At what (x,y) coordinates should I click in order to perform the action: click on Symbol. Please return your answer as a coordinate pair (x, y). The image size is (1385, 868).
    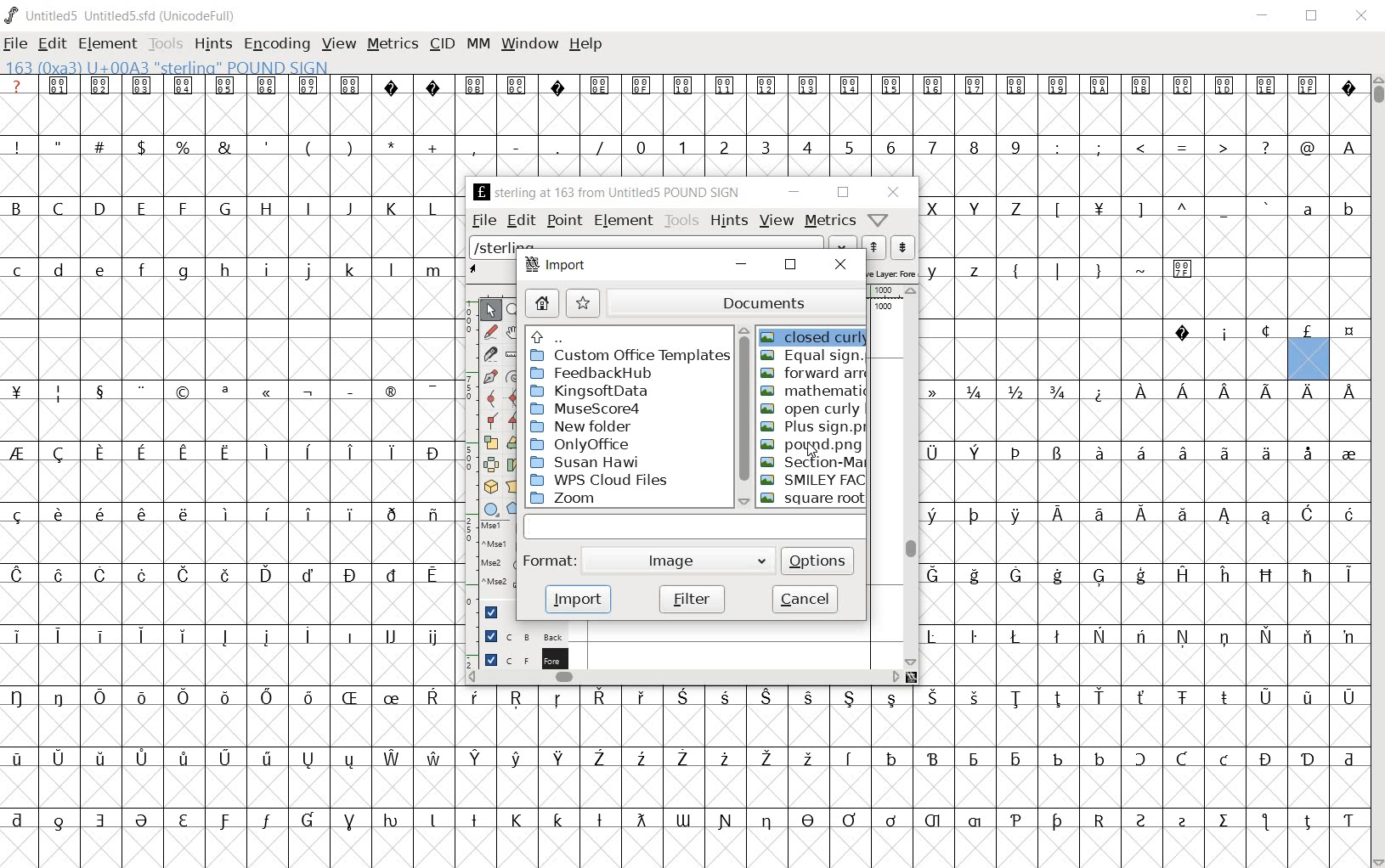
    Looking at the image, I should click on (1309, 759).